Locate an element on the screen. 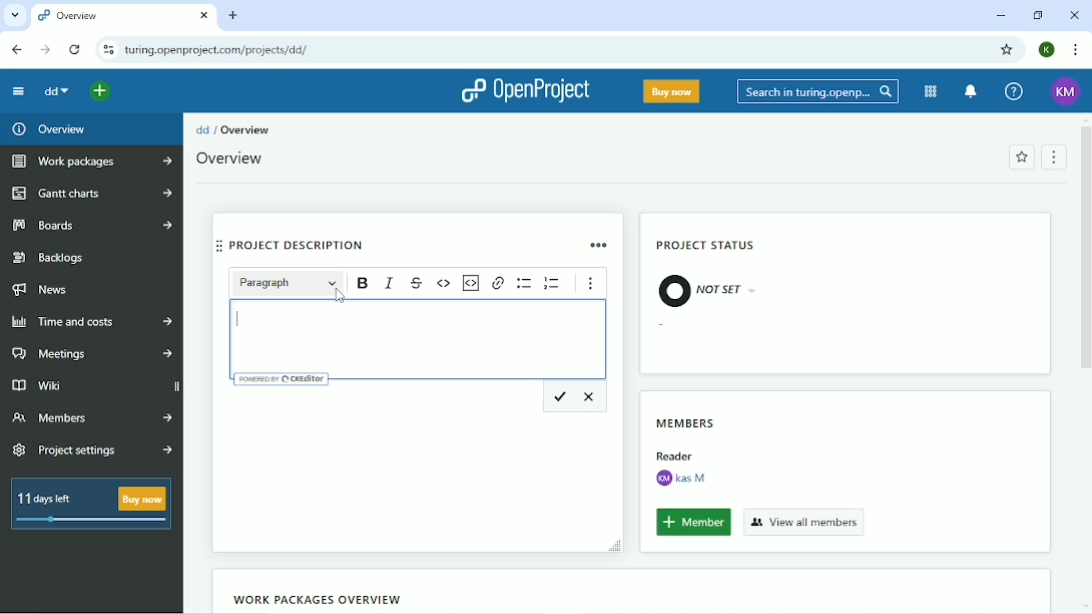 The image size is (1092, 614). More options is located at coordinates (601, 244).